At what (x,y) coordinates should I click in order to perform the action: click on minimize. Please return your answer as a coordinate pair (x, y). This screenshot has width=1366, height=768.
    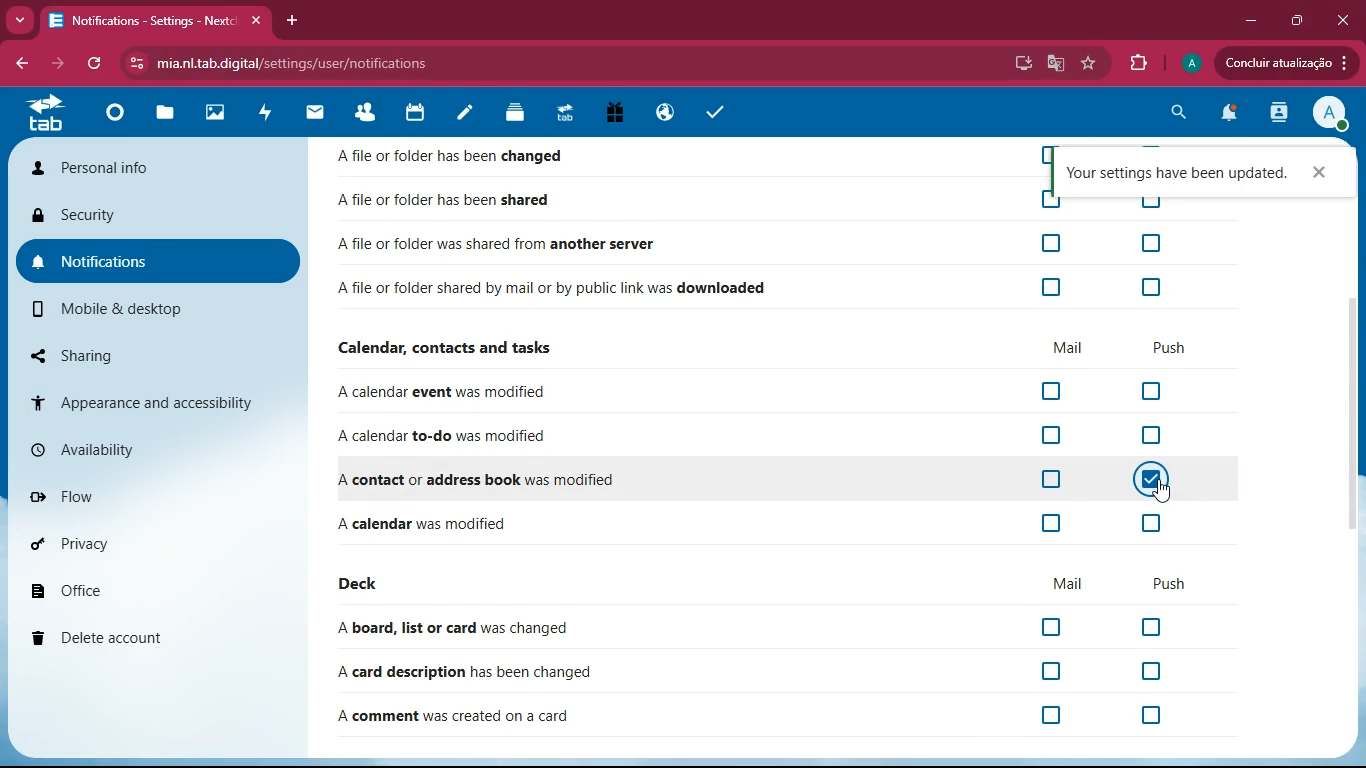
    Looking at the image, I should click on (1246, 21).